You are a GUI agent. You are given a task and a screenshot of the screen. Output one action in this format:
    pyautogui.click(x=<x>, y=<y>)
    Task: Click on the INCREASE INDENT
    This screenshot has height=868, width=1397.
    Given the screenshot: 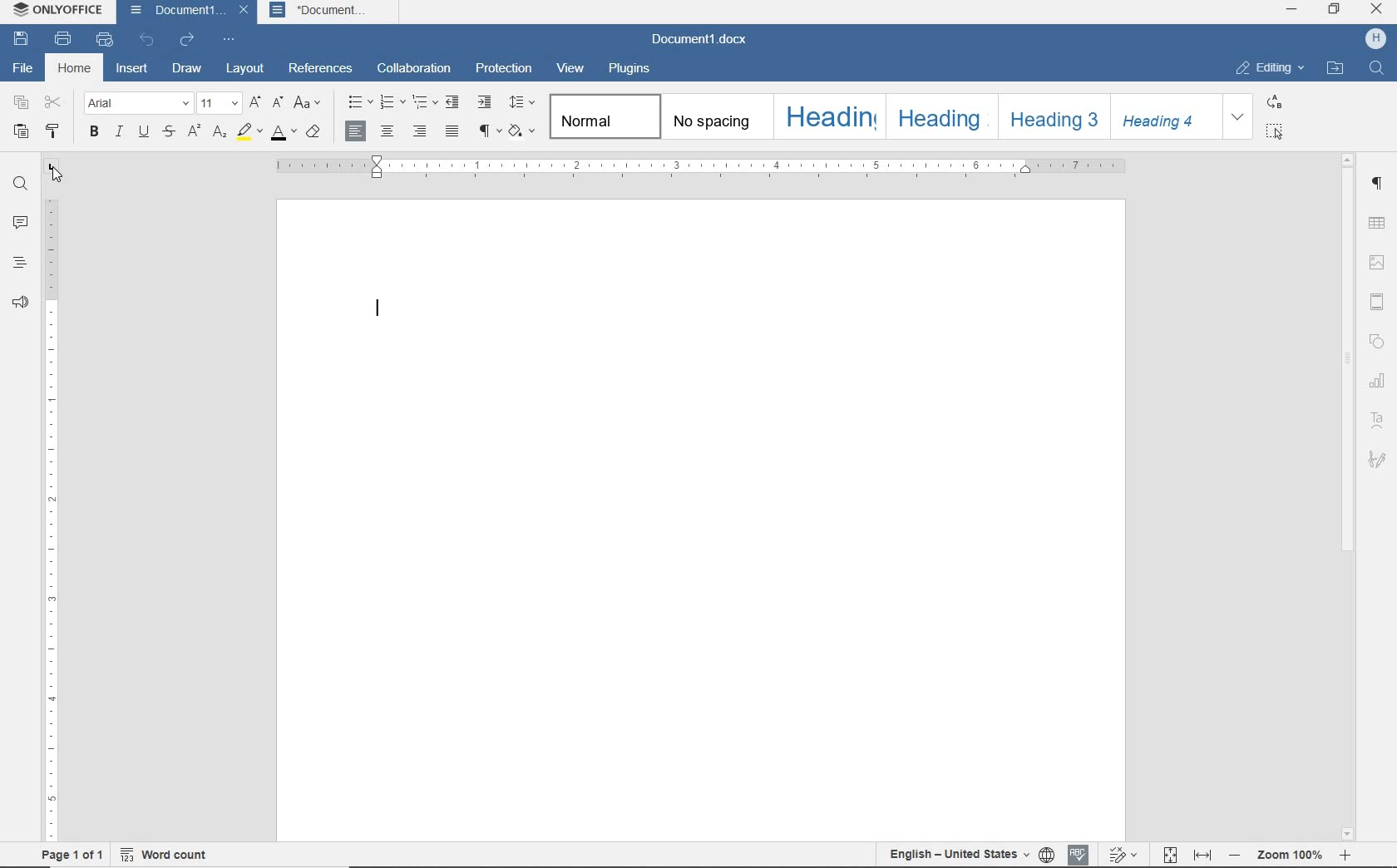 What is the action you would take?
    pyautogui.click(x=485, y=103)
    